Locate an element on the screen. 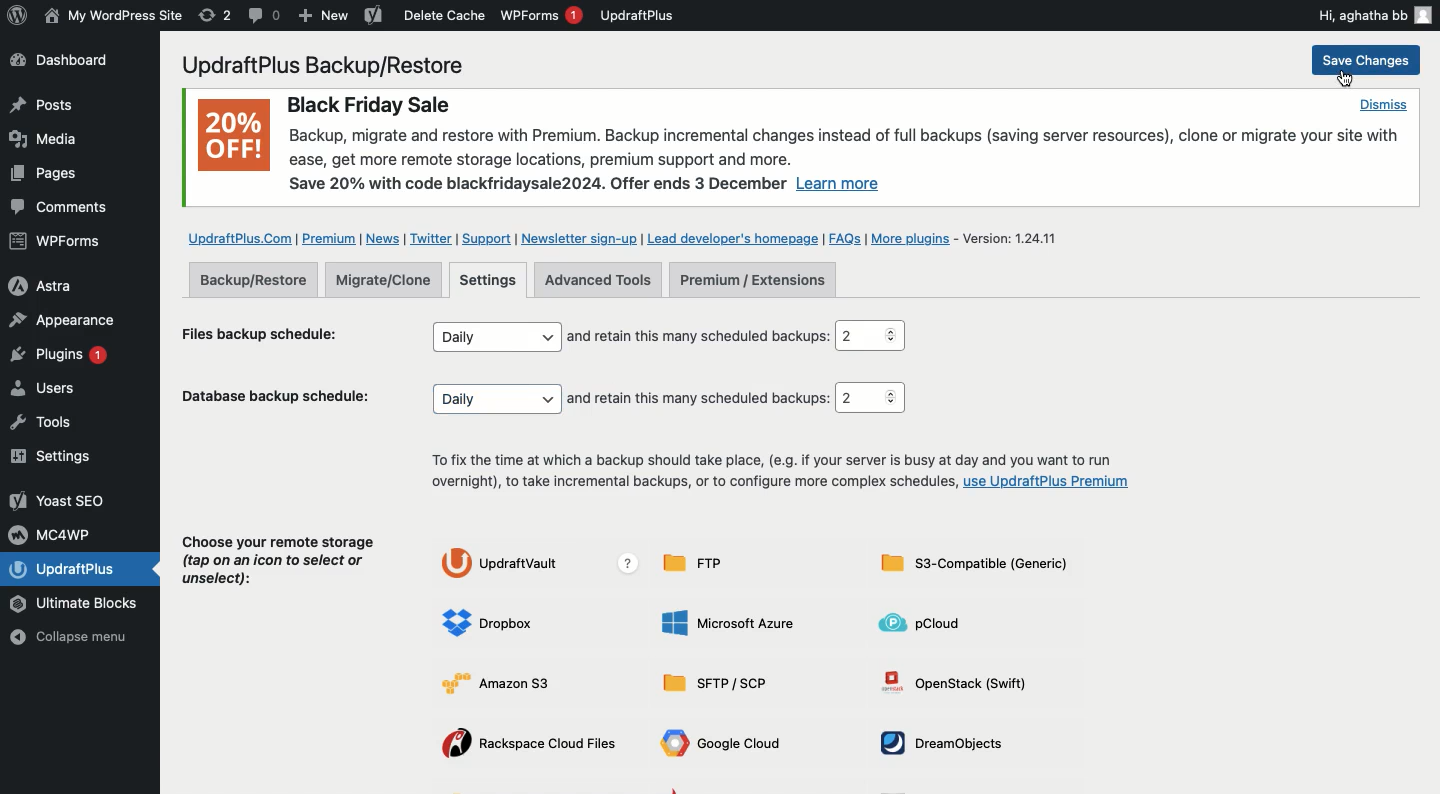  2 is located at coordinates (874, 336).